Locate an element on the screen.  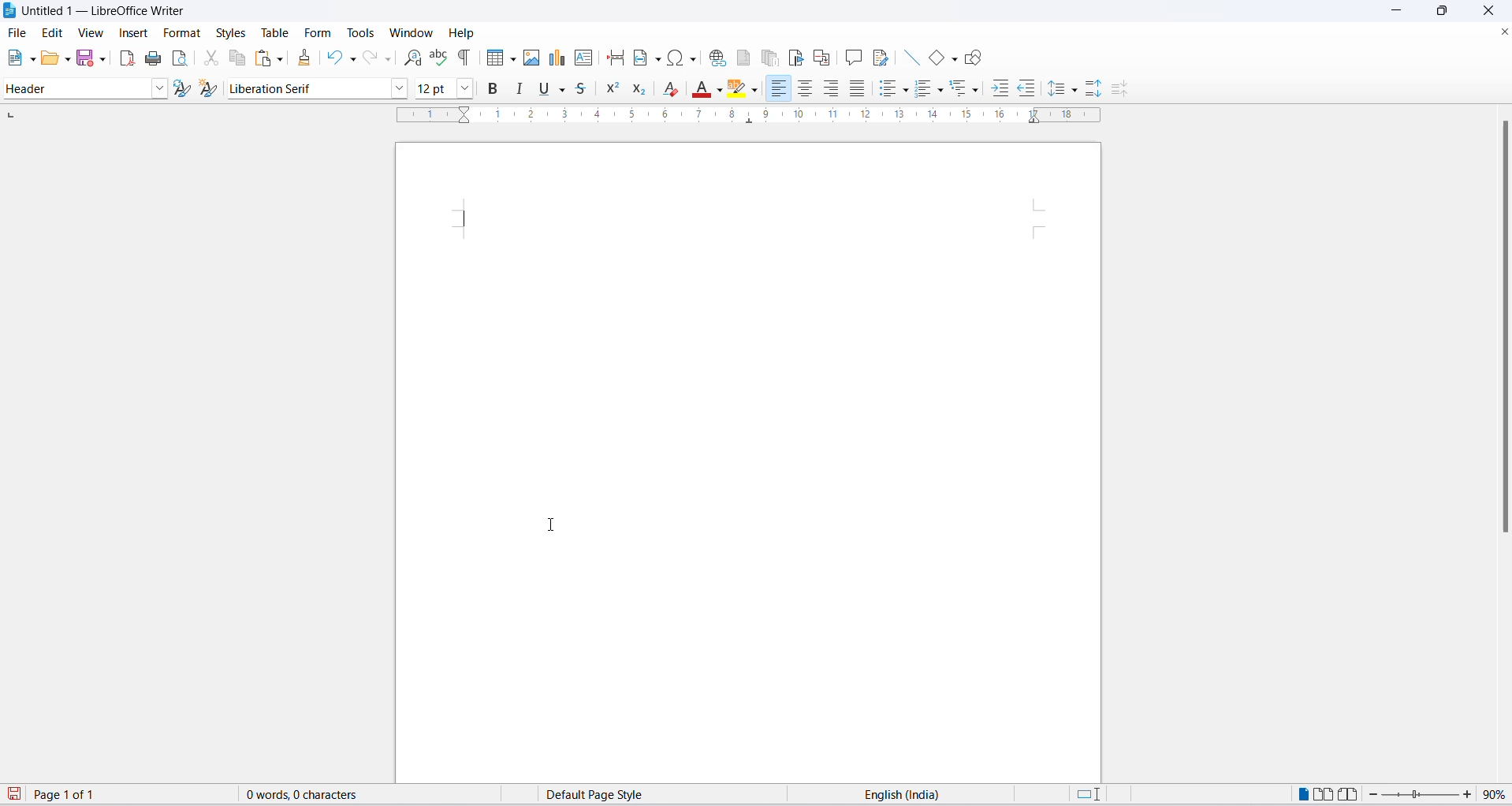
insert endnote is located at coordinates (769, 54).